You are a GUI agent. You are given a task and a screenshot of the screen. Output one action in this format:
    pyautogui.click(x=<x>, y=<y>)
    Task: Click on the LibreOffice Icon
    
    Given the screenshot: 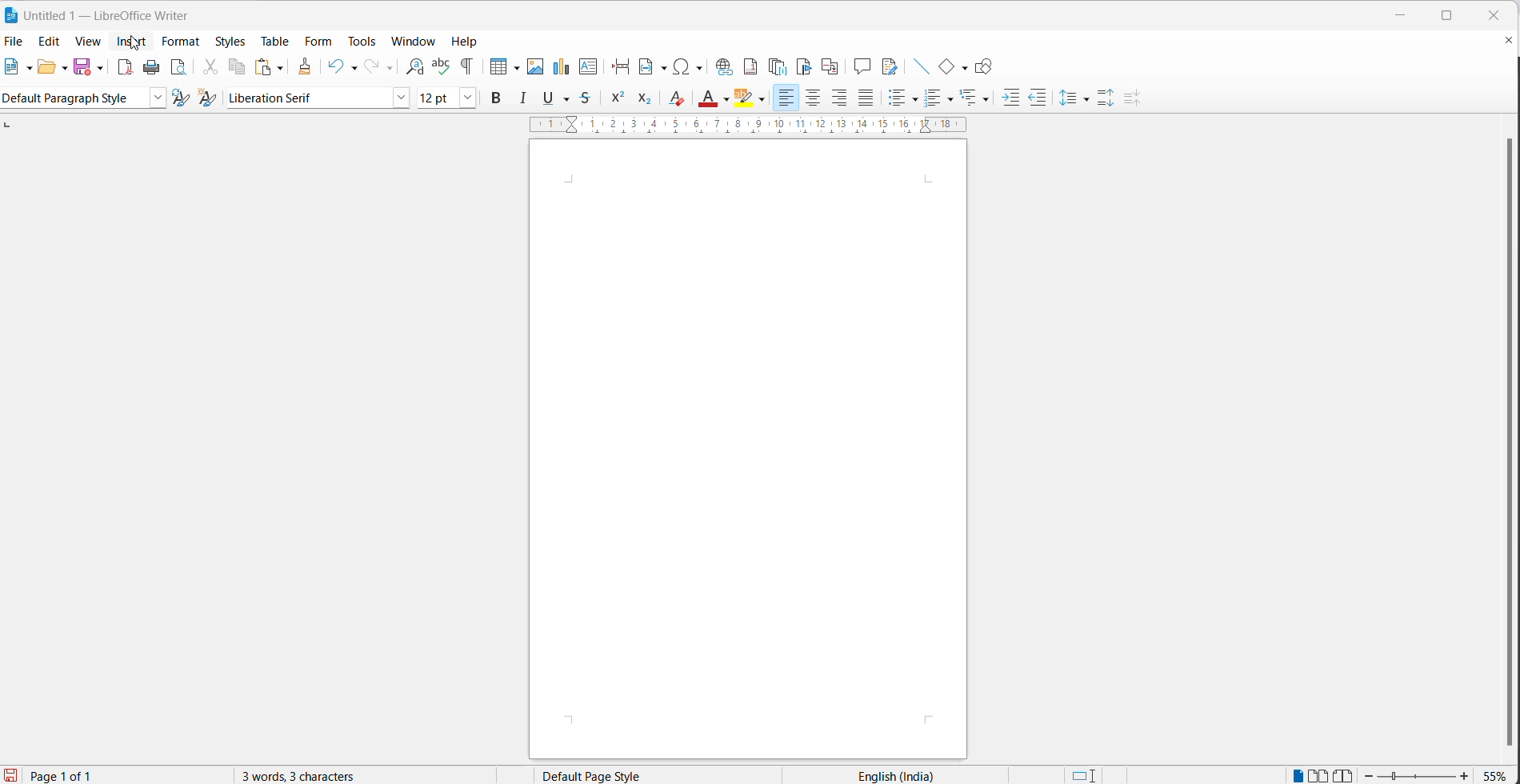 What is the action you would take?
    pyautogui.click(x=10, y=14)
    